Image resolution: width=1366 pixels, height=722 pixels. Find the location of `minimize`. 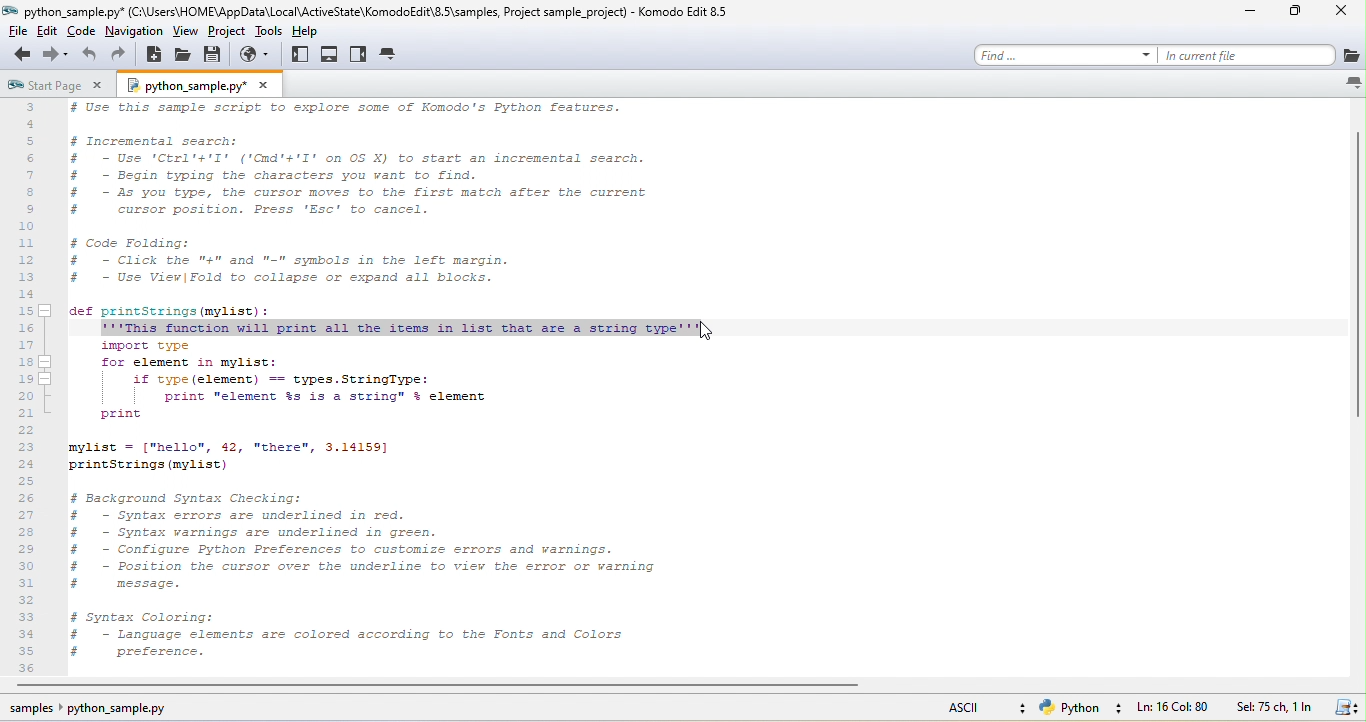

minimize is located at coordinates (1255, 12).